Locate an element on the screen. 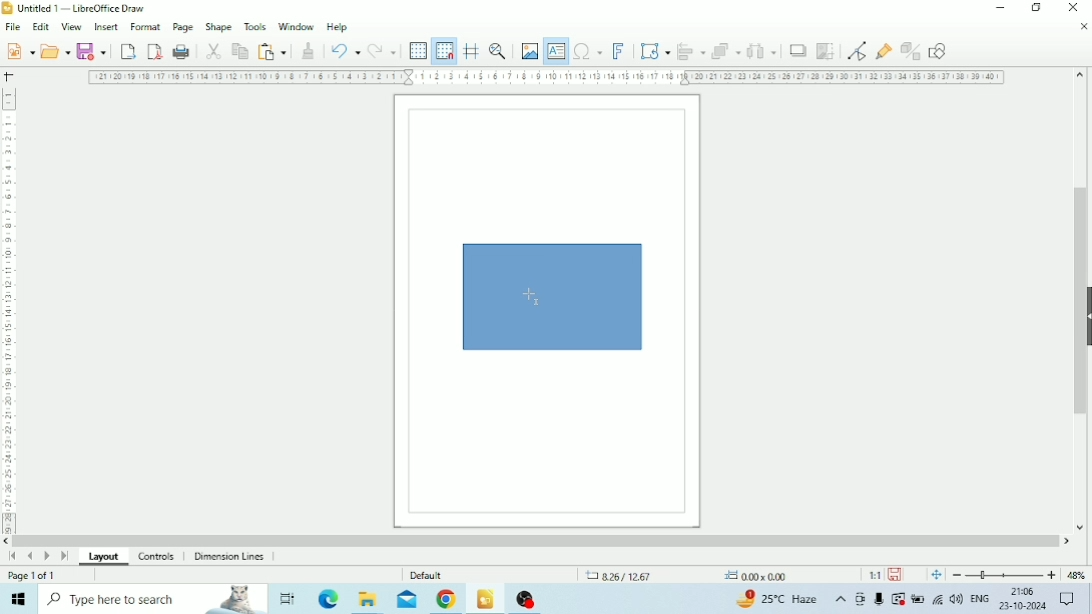  Close Document is located at coordinates (1083, 27).